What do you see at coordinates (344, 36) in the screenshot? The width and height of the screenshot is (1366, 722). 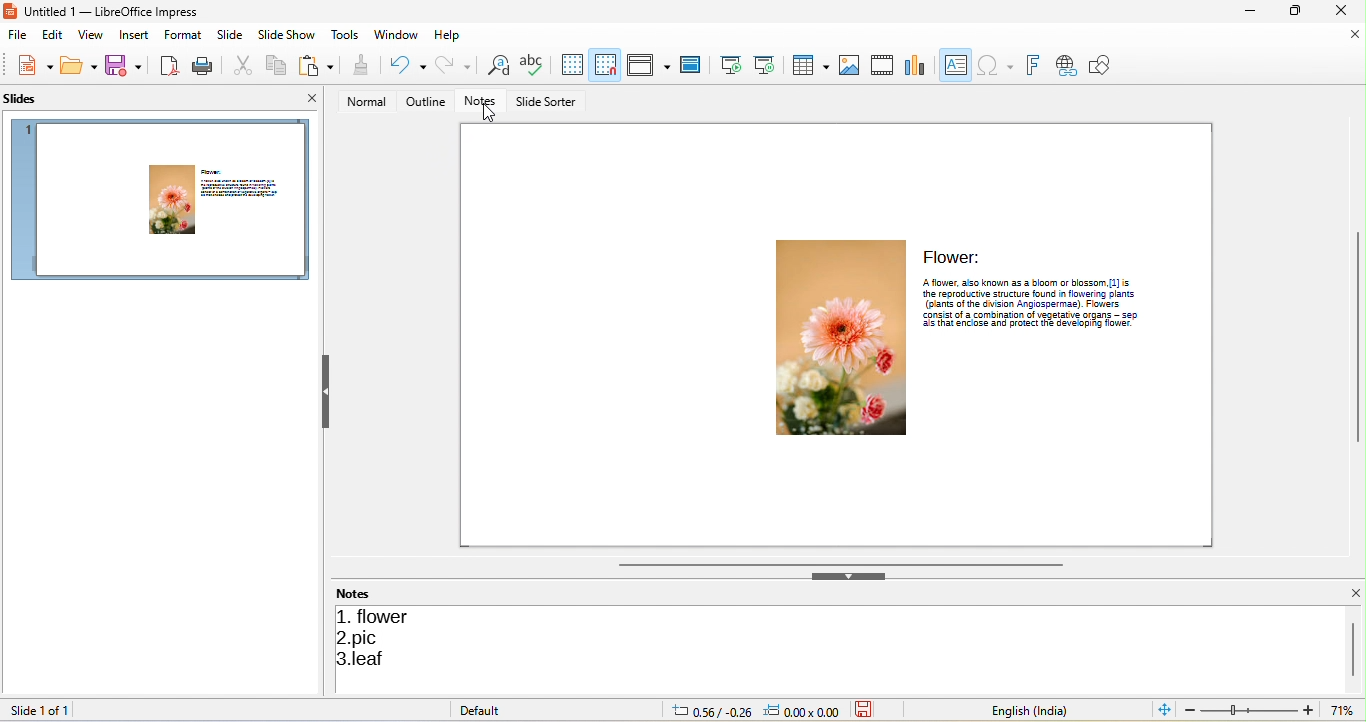 I see `tools` at bounding box center [344, 36].